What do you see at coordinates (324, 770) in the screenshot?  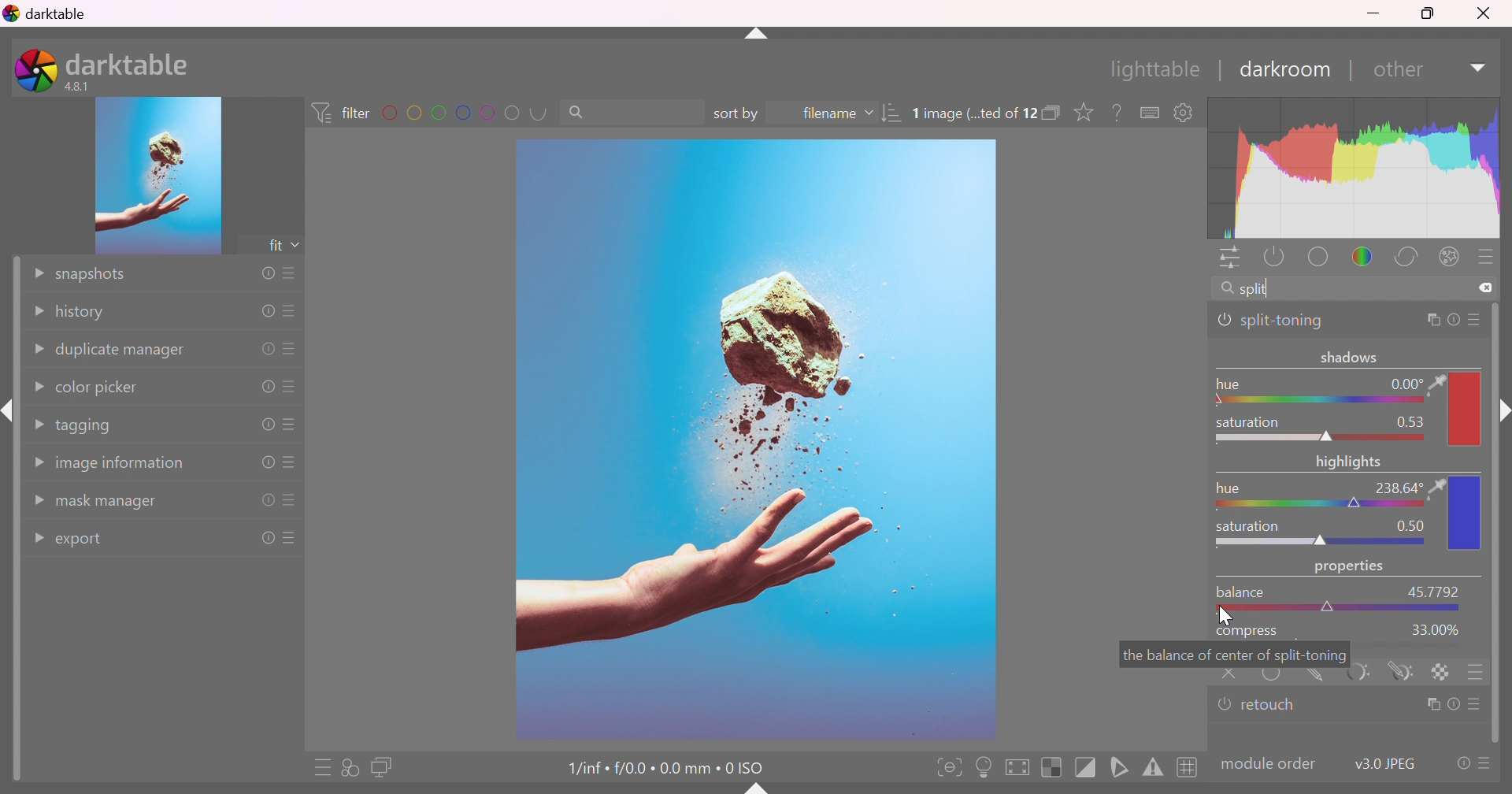 I see `quick access to presets` at bounding box center [324, 770].